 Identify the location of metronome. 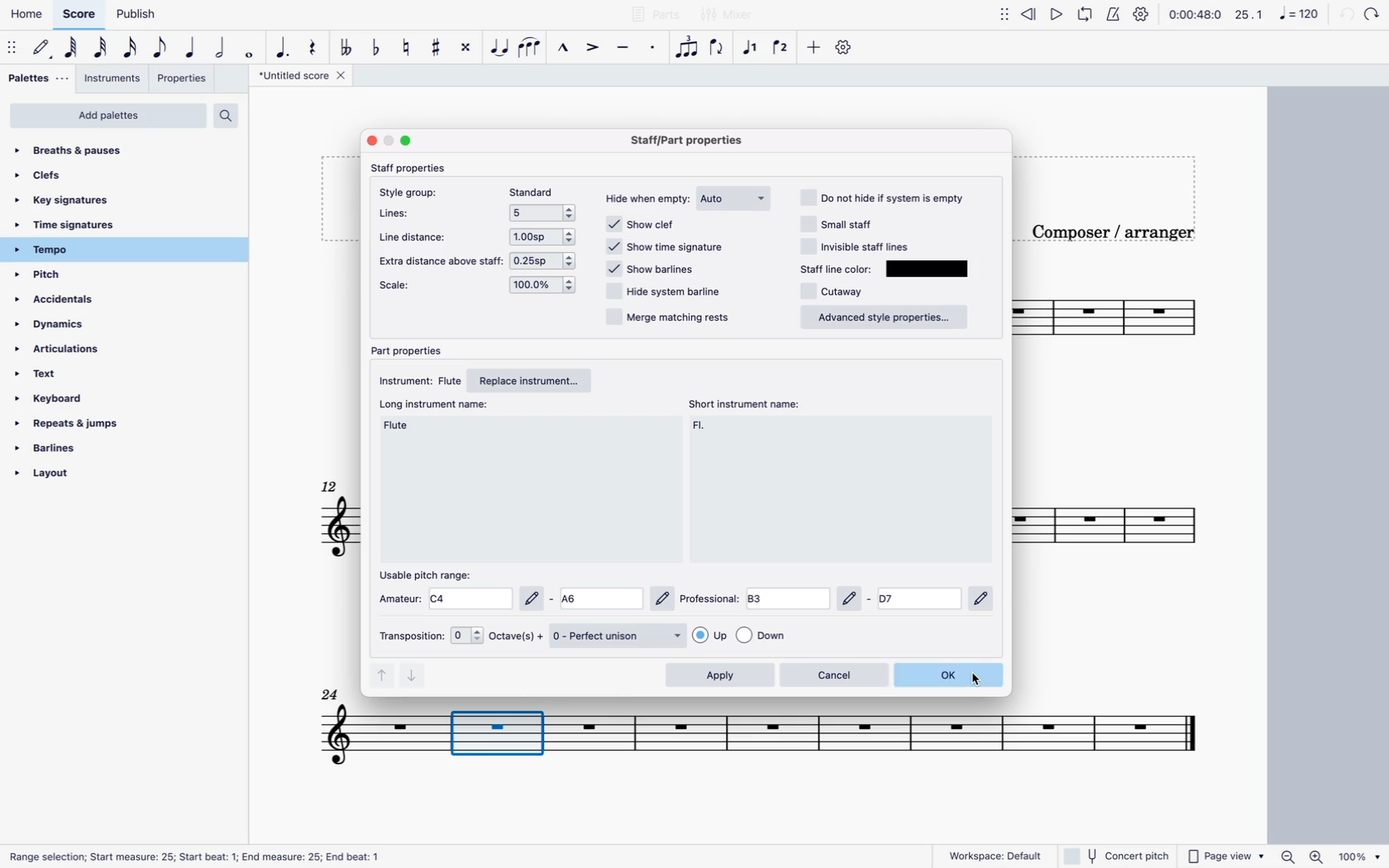
(1112, 17).